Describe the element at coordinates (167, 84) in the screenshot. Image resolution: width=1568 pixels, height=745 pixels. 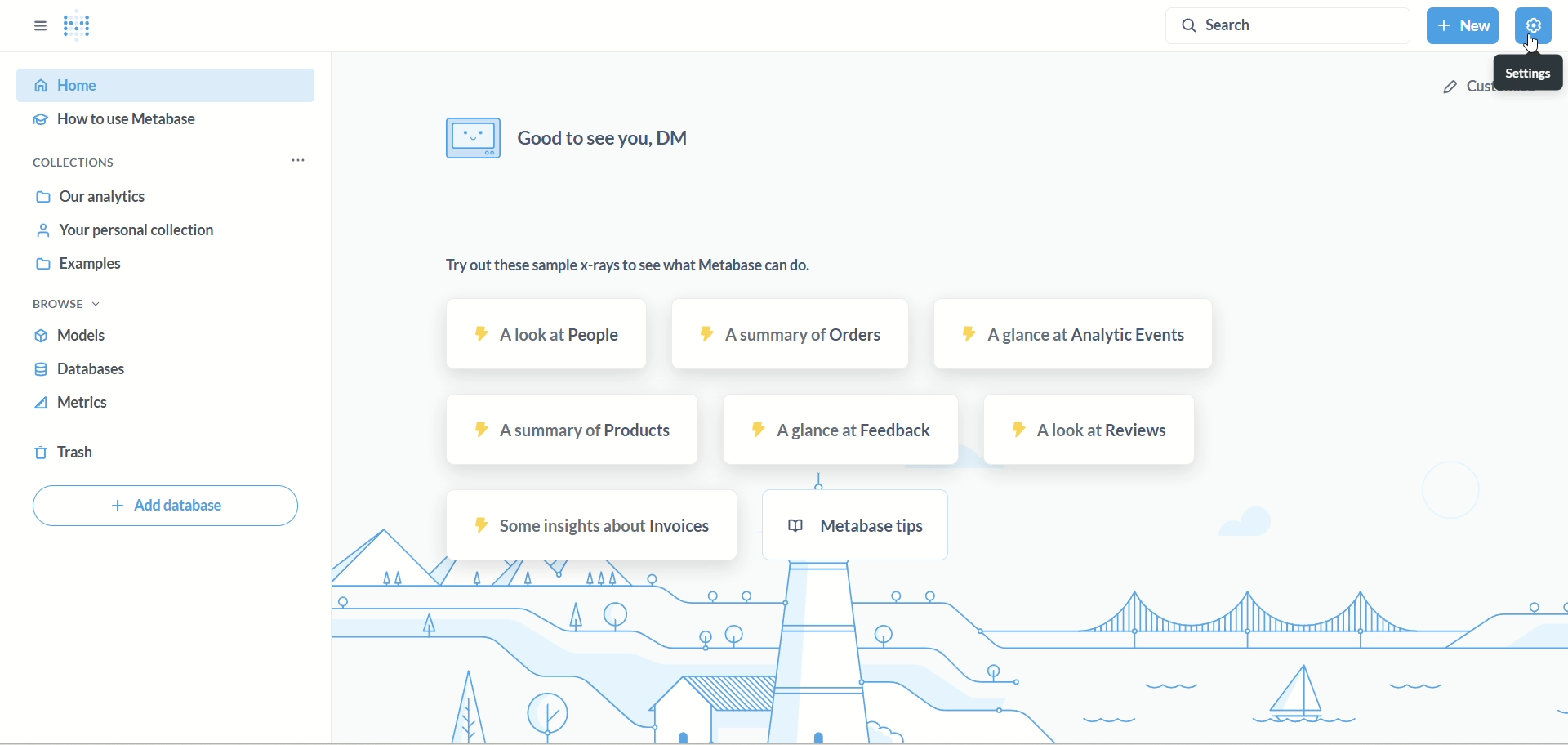
I see `home` at that location.